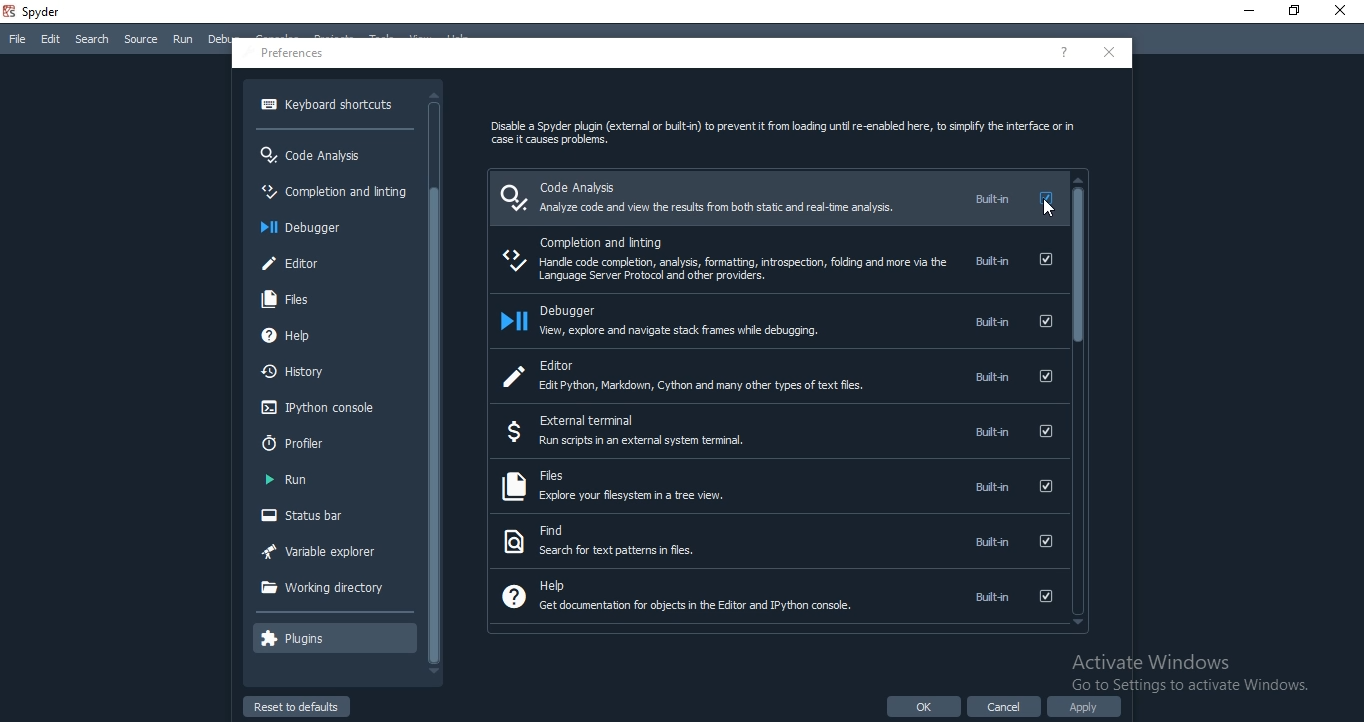 This screenshot has height=722, width=1364. Describe the element at coordinates (778, 136) in the screenshot. I see `Disable a Spyder plugin (external or buit-n) to prevent it from loading unti re-enabled here, to simplfy the interface or in
case it causes problems.` at that location.